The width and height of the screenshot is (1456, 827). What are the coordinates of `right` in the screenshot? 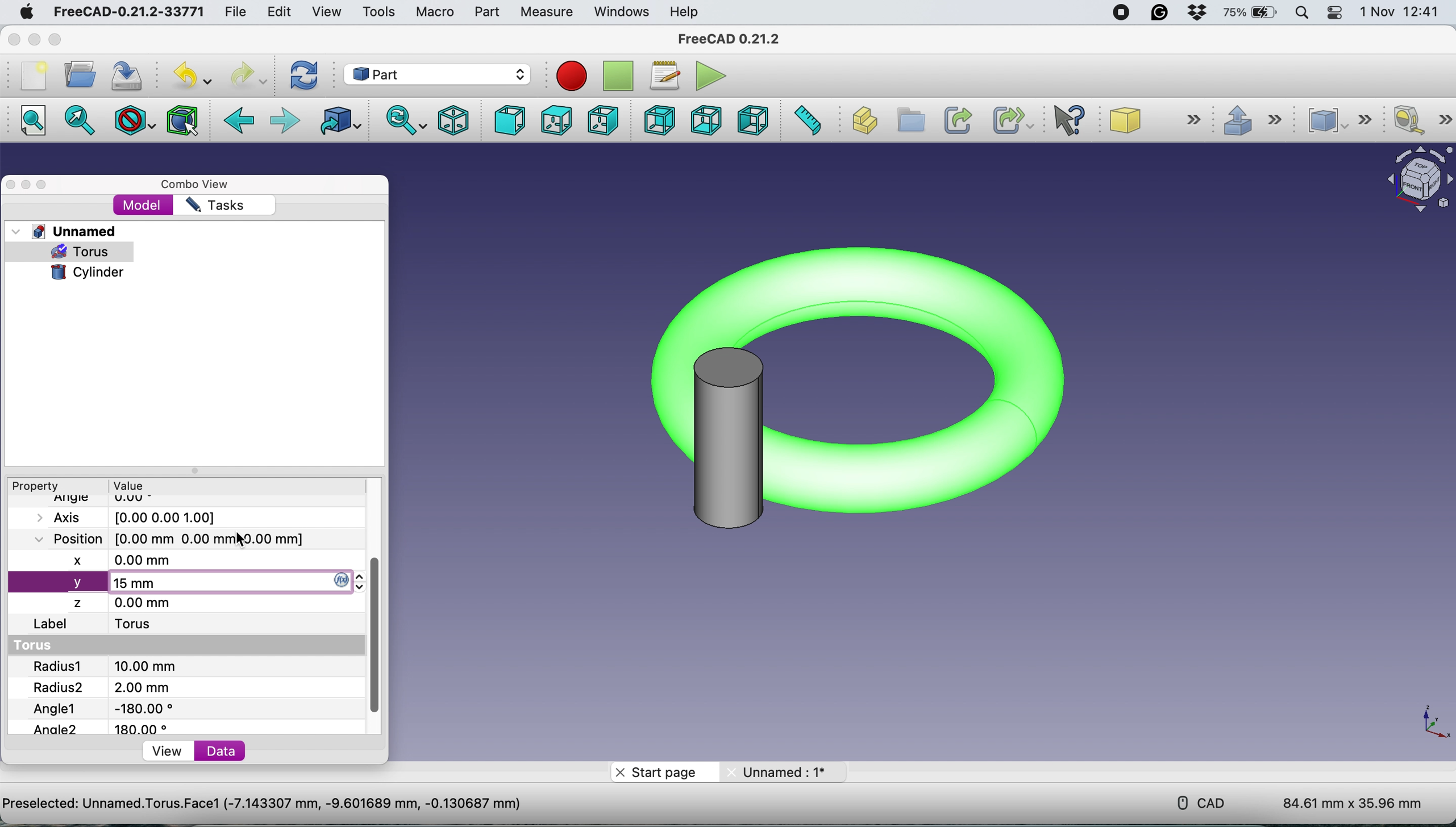 It's located at (601, 120).